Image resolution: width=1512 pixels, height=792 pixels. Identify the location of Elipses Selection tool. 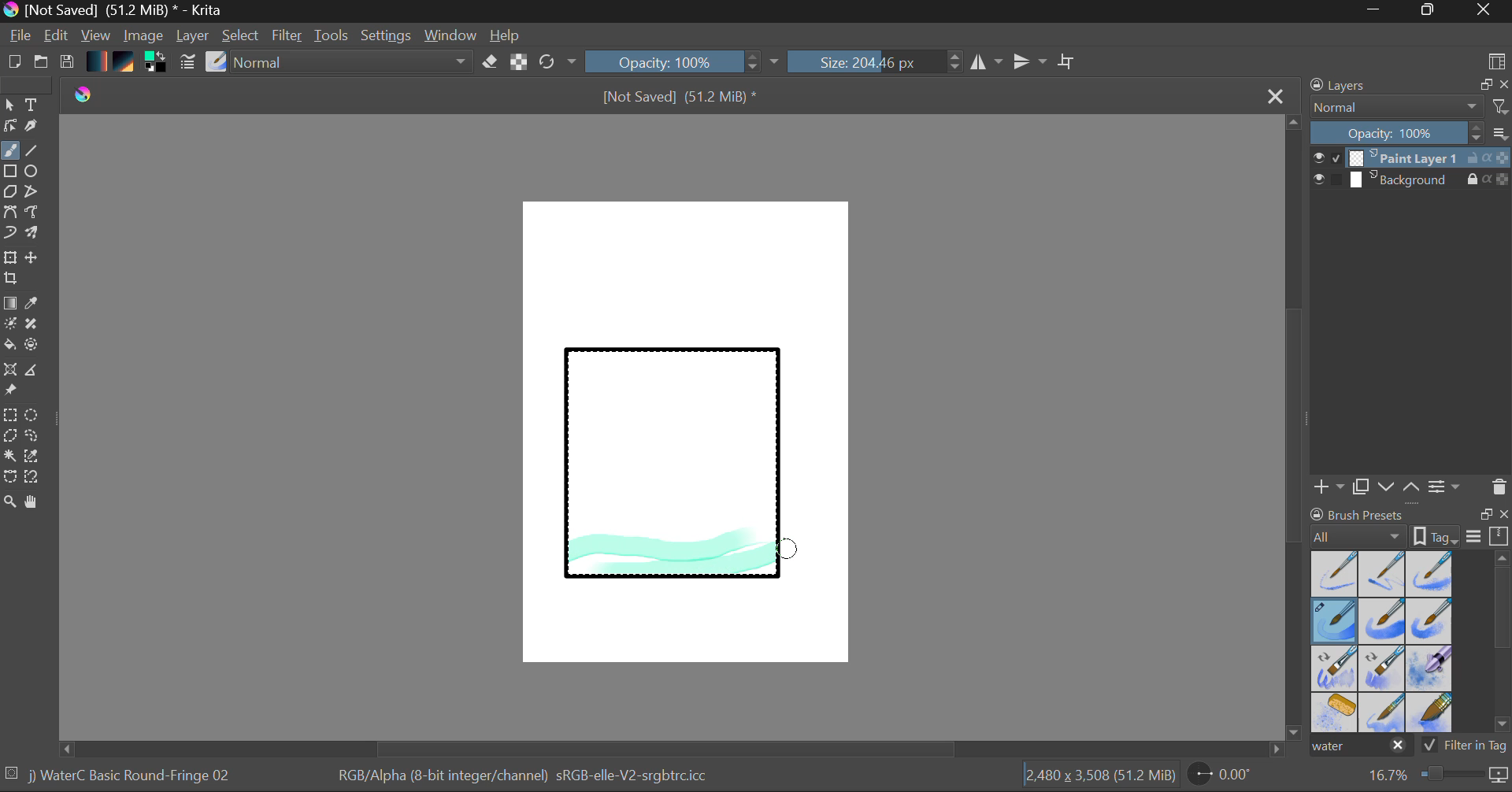
(35, 416).